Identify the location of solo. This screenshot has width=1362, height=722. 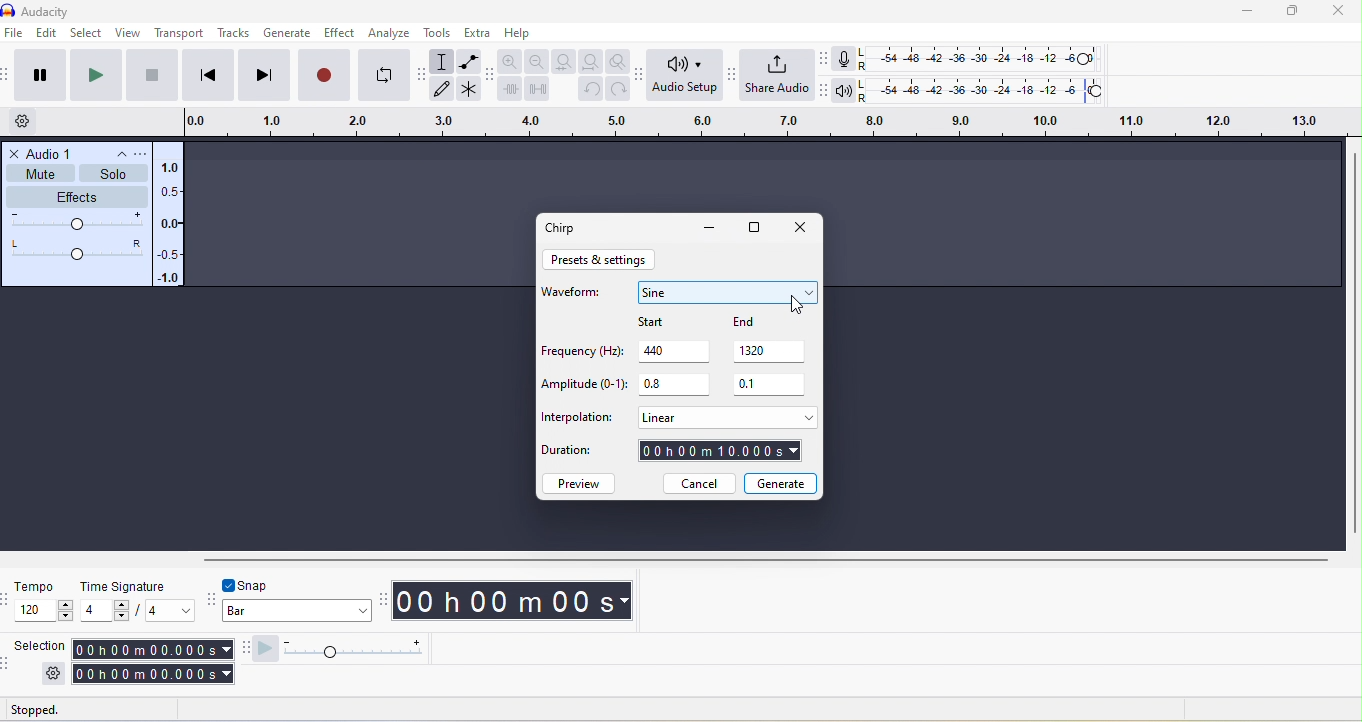
(115, 174).